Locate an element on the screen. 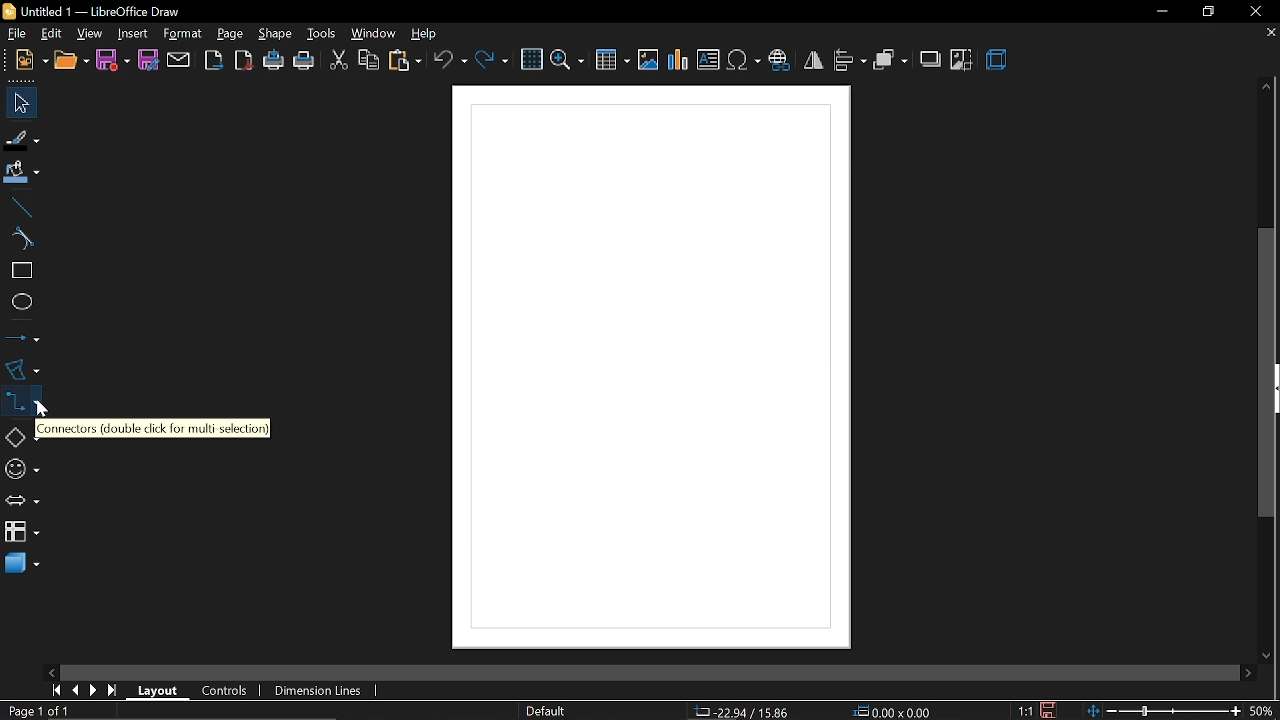  view is located at coordinates (90, 32).